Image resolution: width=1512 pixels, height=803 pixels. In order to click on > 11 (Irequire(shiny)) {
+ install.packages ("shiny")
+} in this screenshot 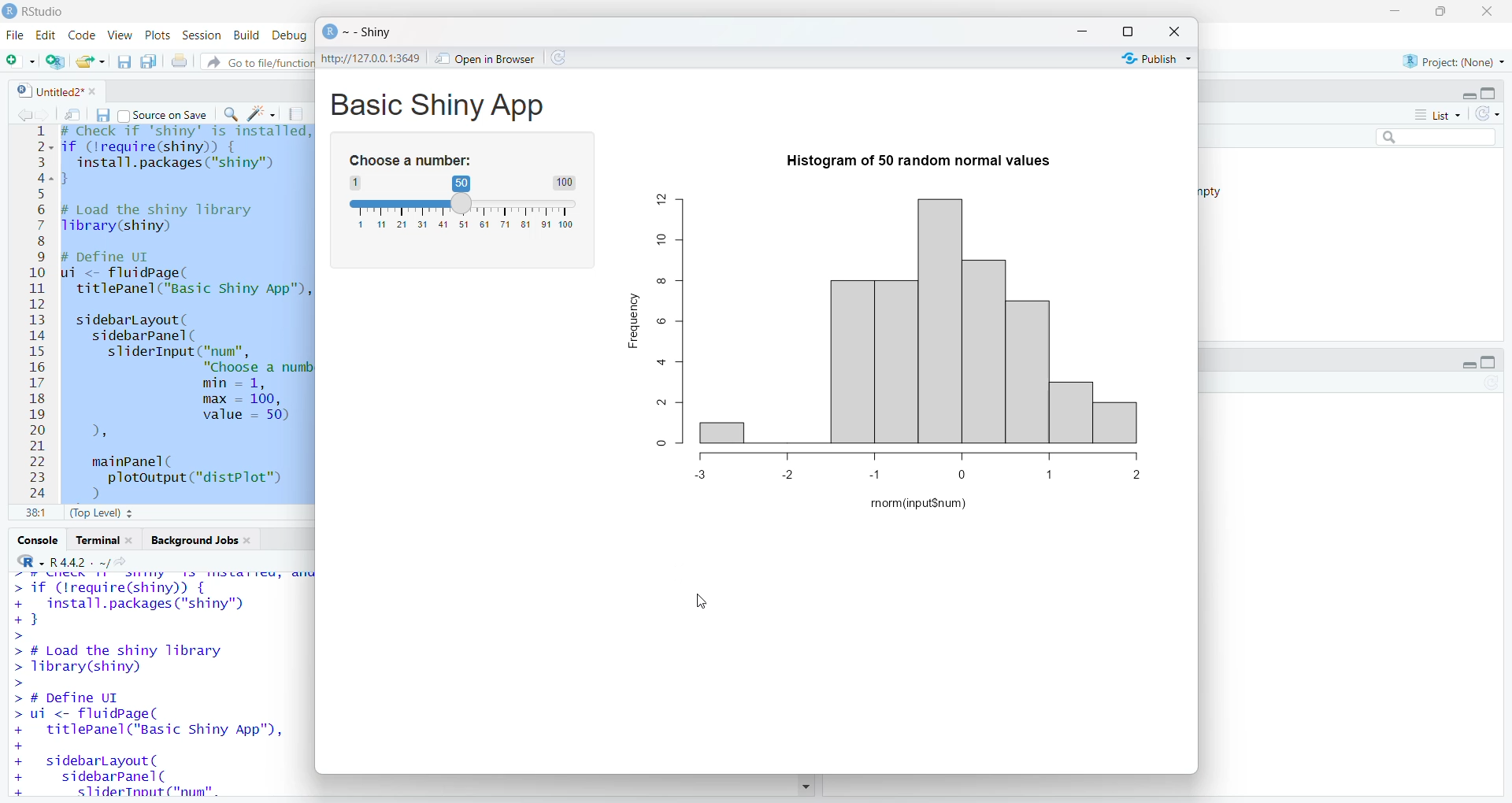, I will do `click(132, 603)`.